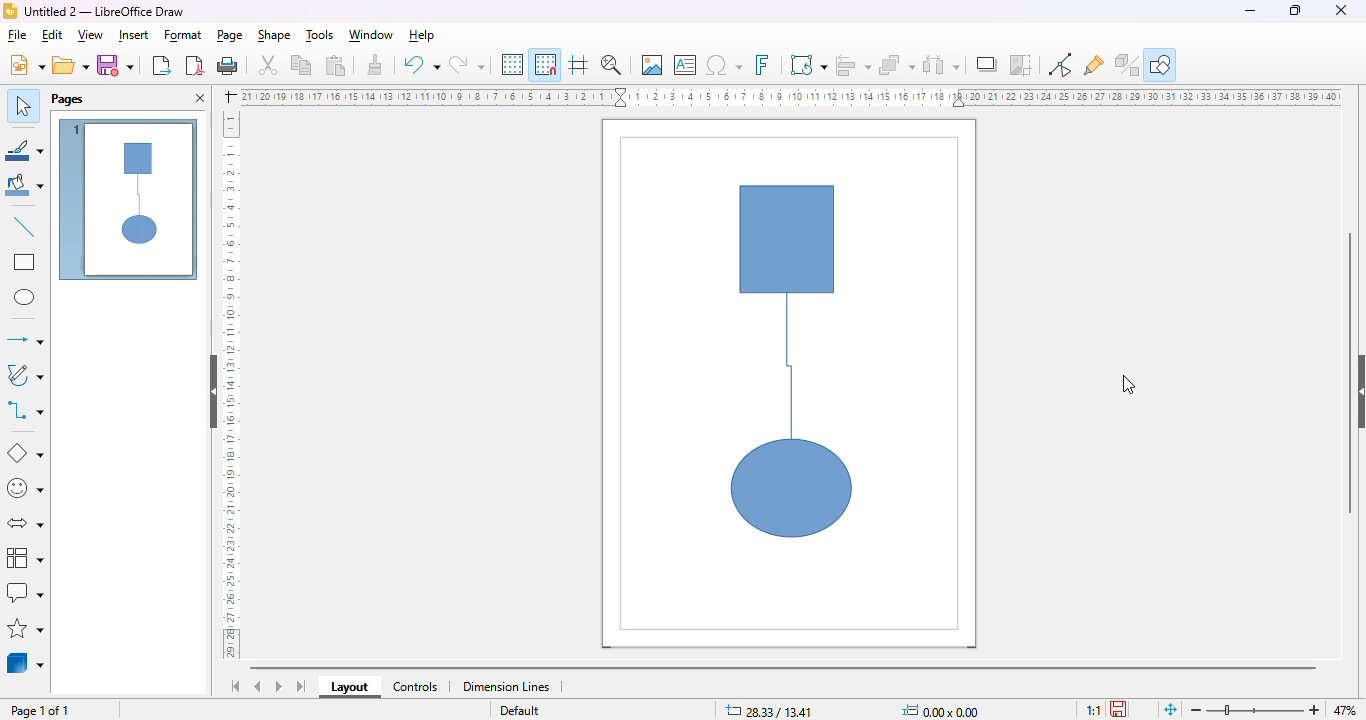 This screenshot has height=720, width=1366. Describe the element at coordinates (231, 385) in the screenshot. I see `ruler` at that location.